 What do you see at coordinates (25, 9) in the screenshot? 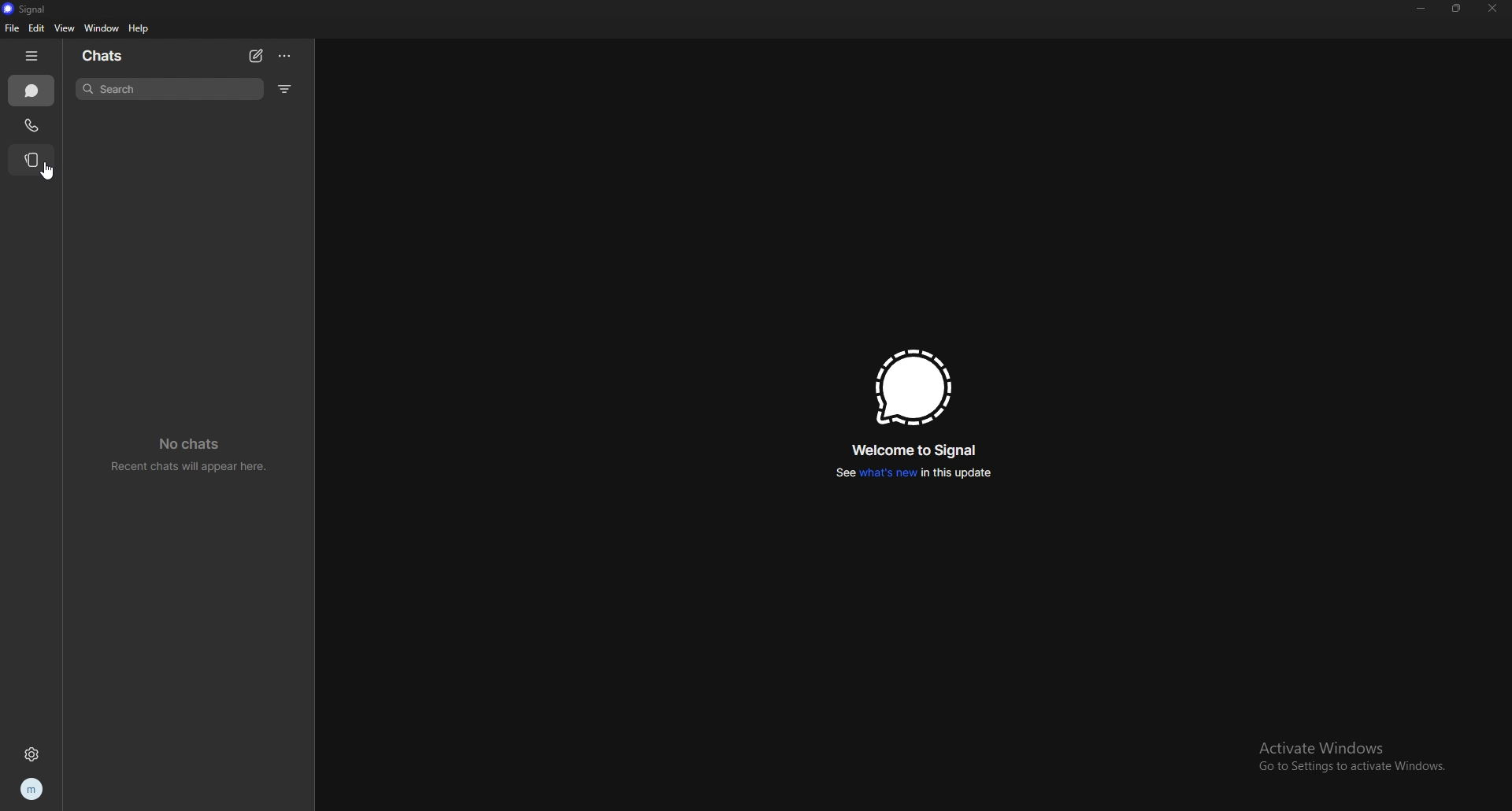
I see `signal` at bounding box center [25, 9].